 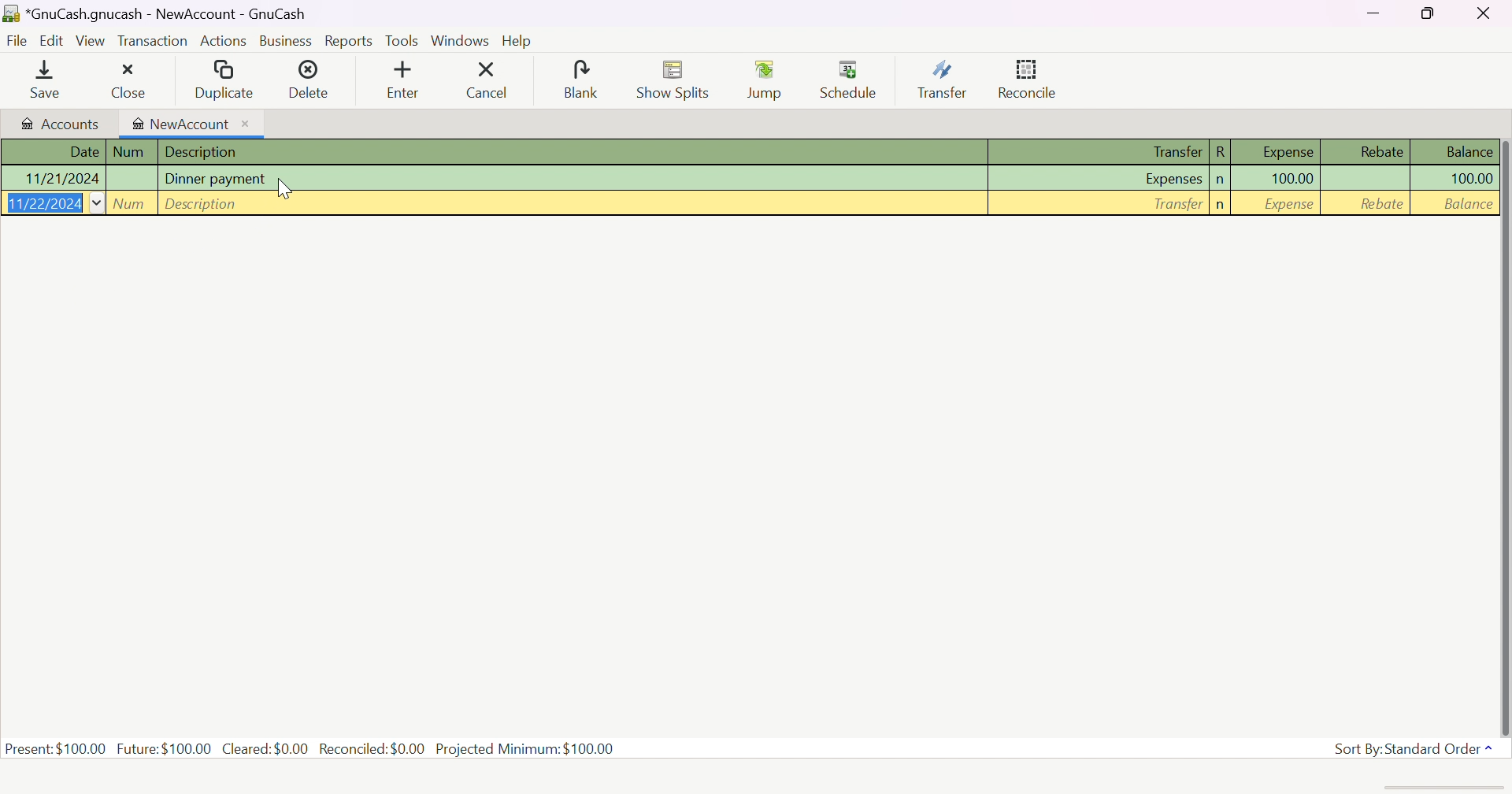 What do you see at coordinates (1166, 151) in the screenshot?
I see `Transfer` at bounding box center [1166, 151].